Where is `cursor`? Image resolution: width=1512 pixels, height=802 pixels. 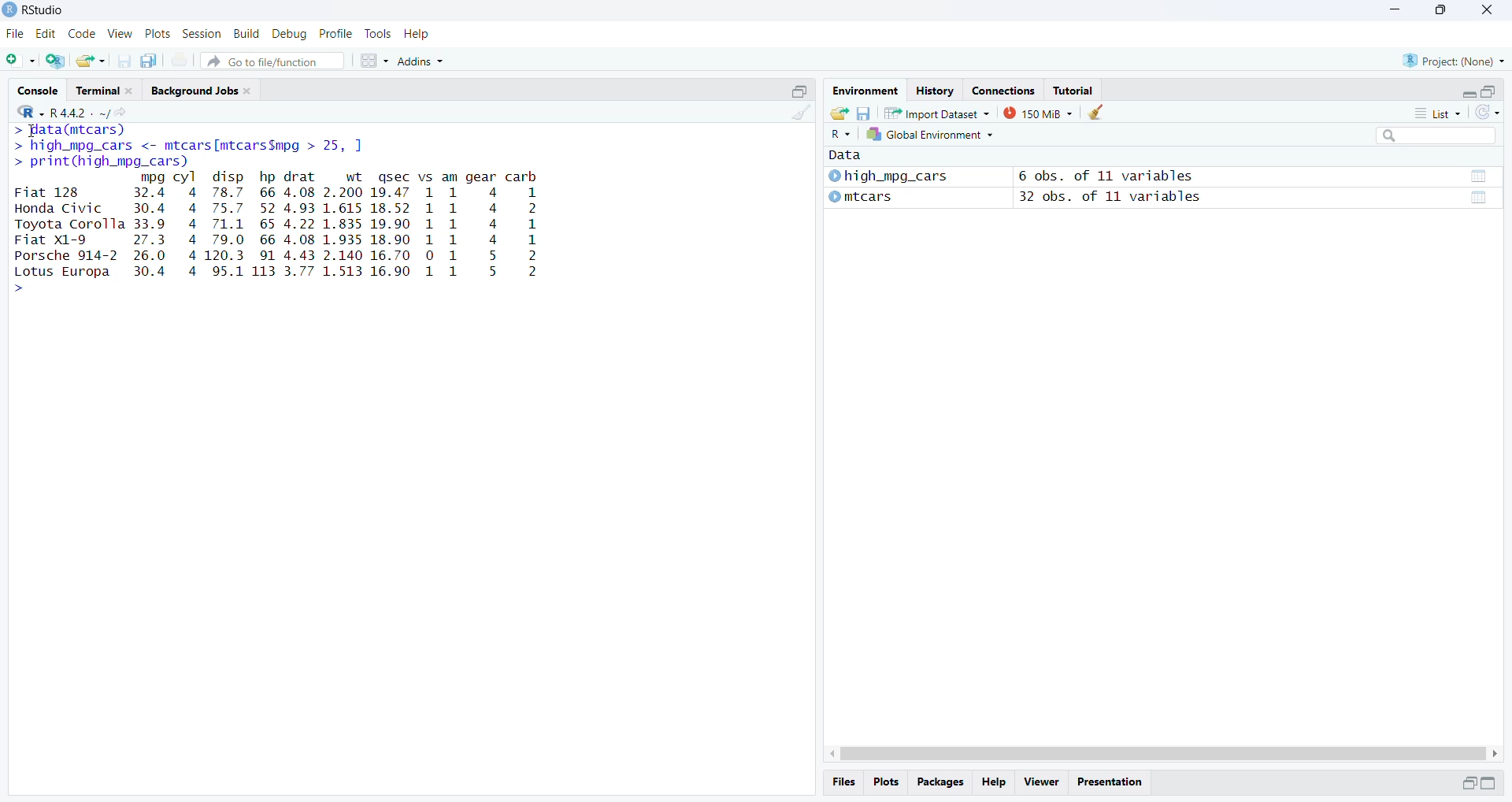 cursor is located at coordinates (29, 133).